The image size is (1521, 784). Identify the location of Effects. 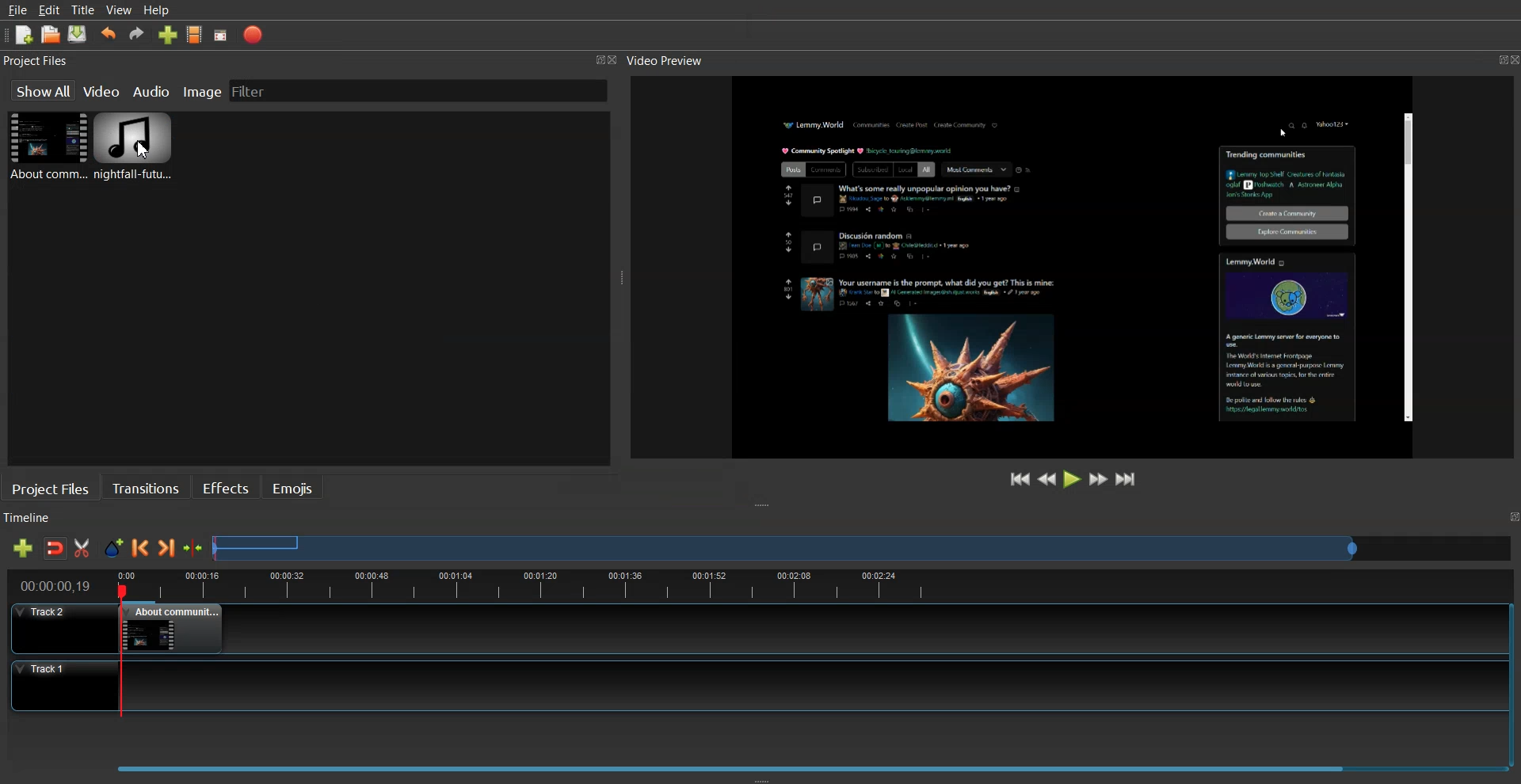
(225, 486).